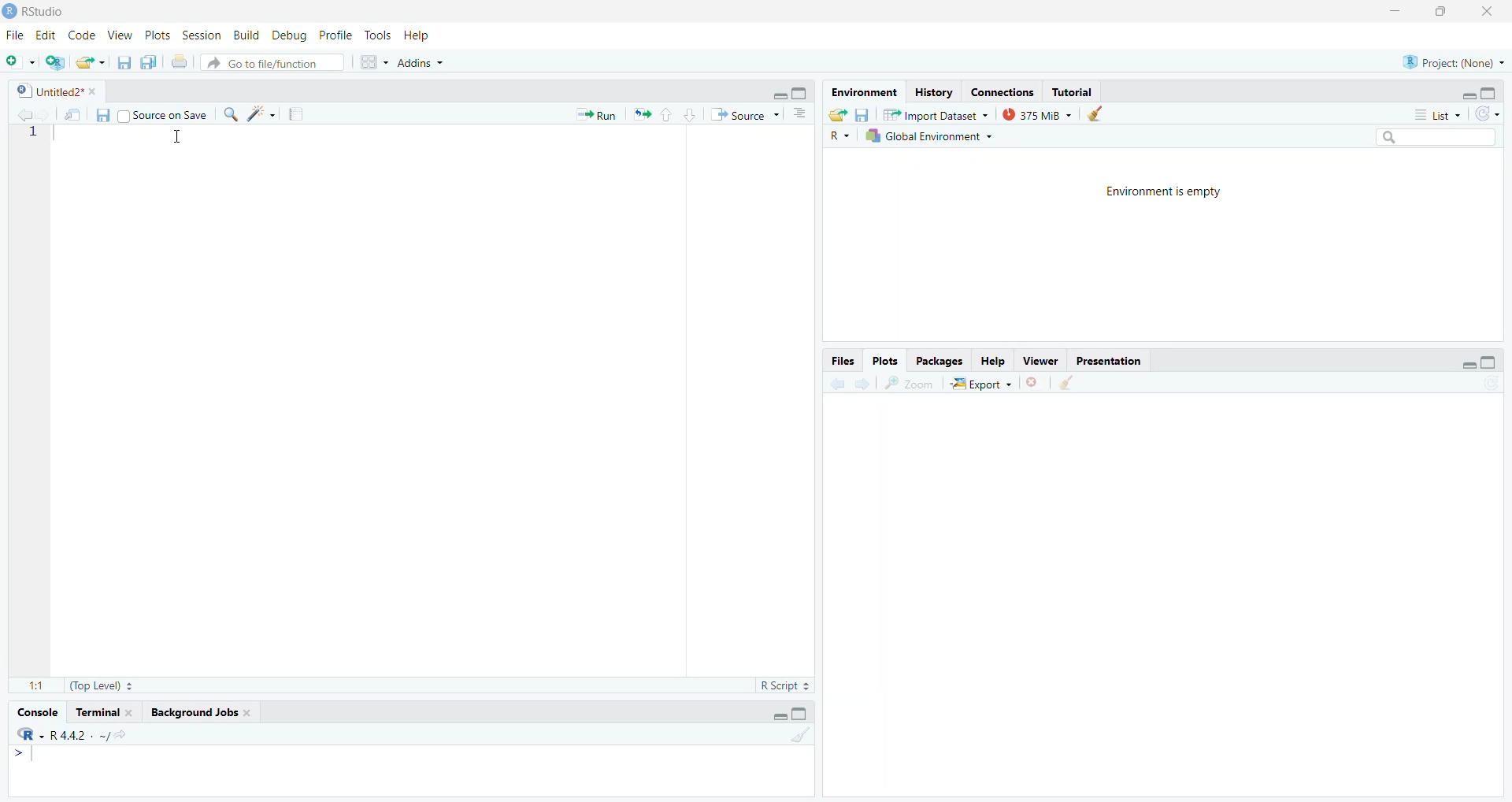 The height and width of the screenshot is (802, 1512). Describe the element at coordinates (335, 35) in the screenshot. I see ` Profile` at that location.